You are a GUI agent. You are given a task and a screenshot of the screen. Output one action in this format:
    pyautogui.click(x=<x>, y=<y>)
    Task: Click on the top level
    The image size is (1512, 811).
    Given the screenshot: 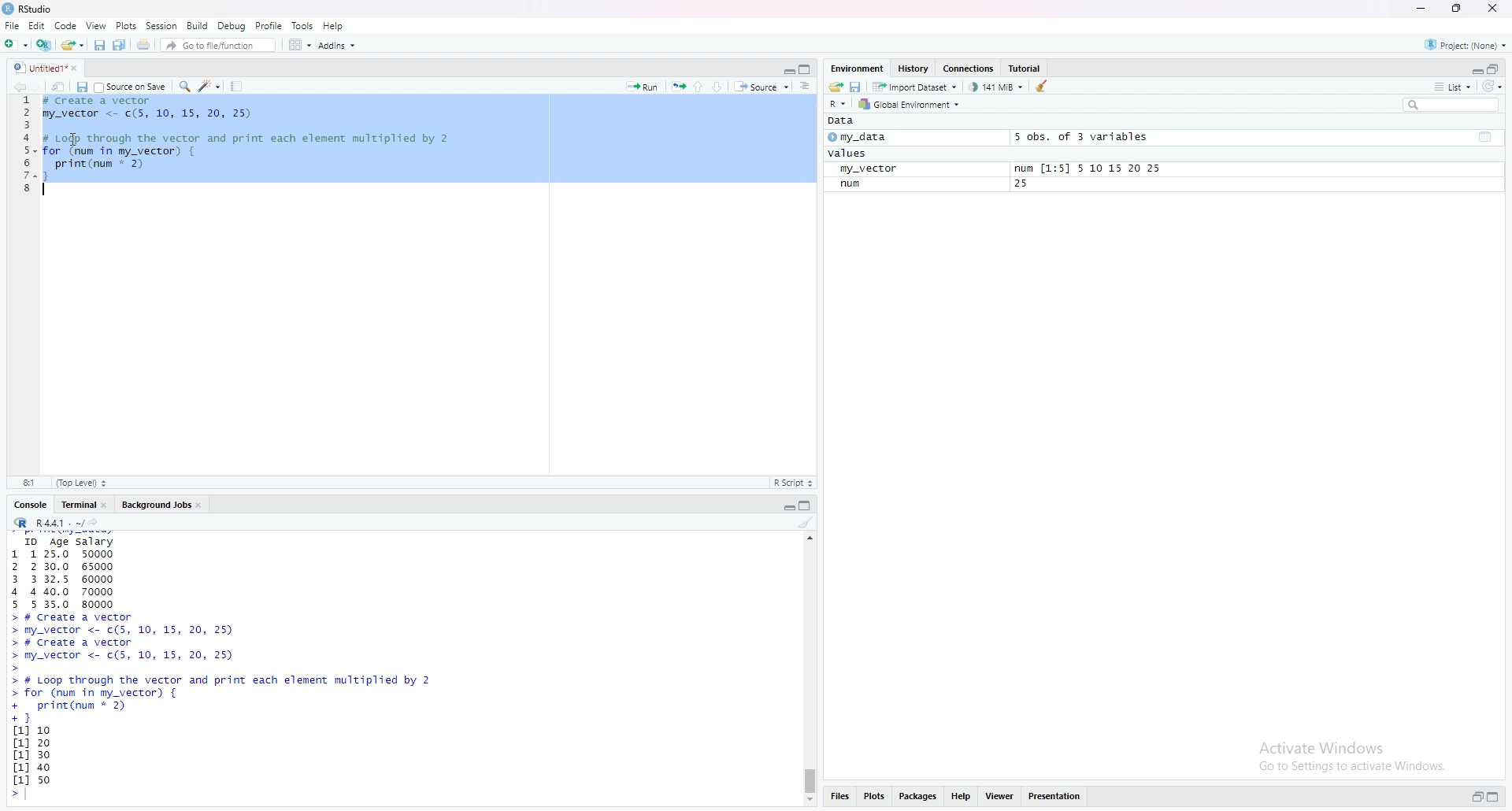 What is the action you would take?
    pyautogui.click(x=82, y=483)
    